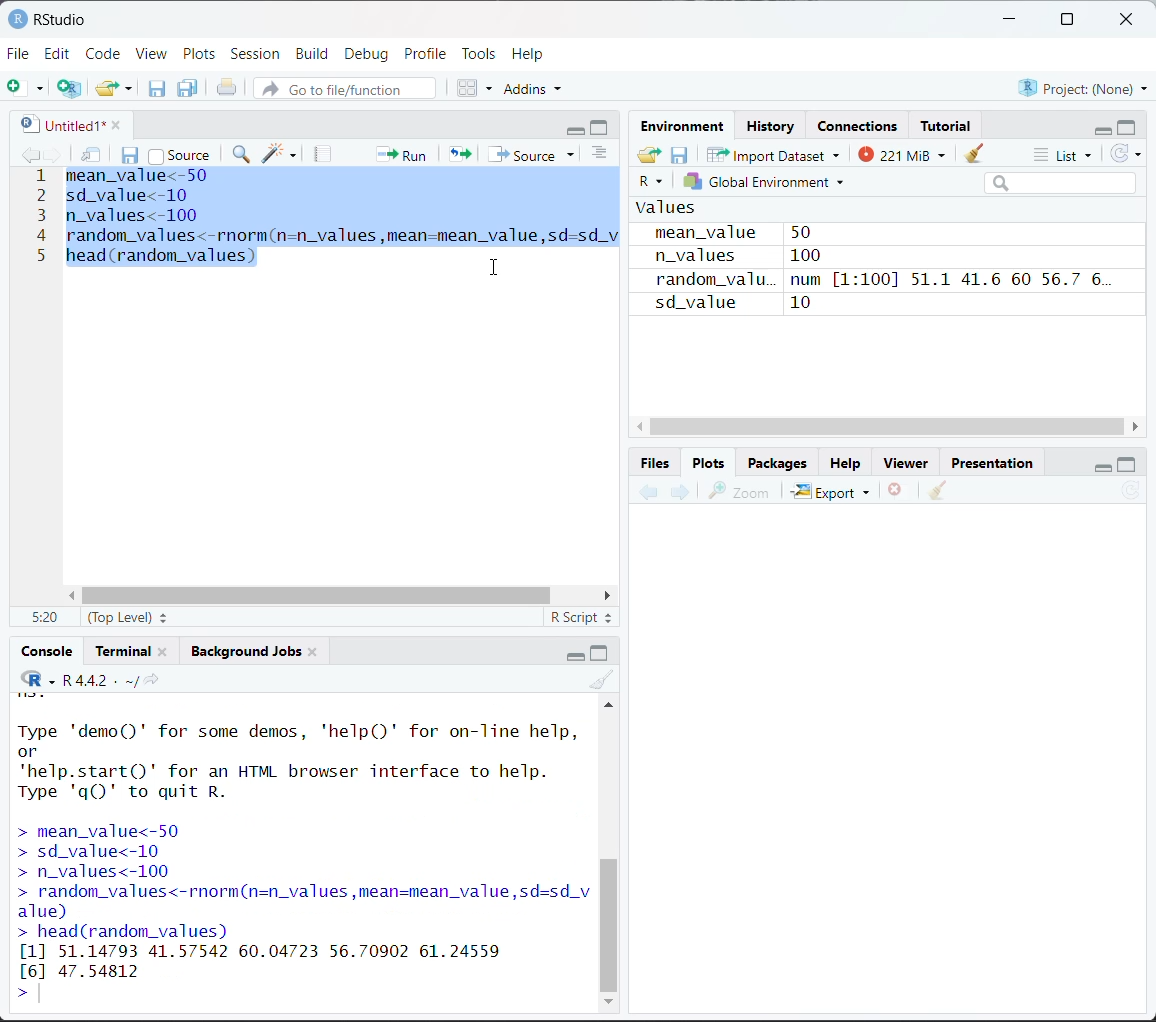 This screenshot has height=1022, width=1156. What do you see at coordinates (649, 493) in the screenshot?
I see `previous plot` at bounding box center [649, 493].